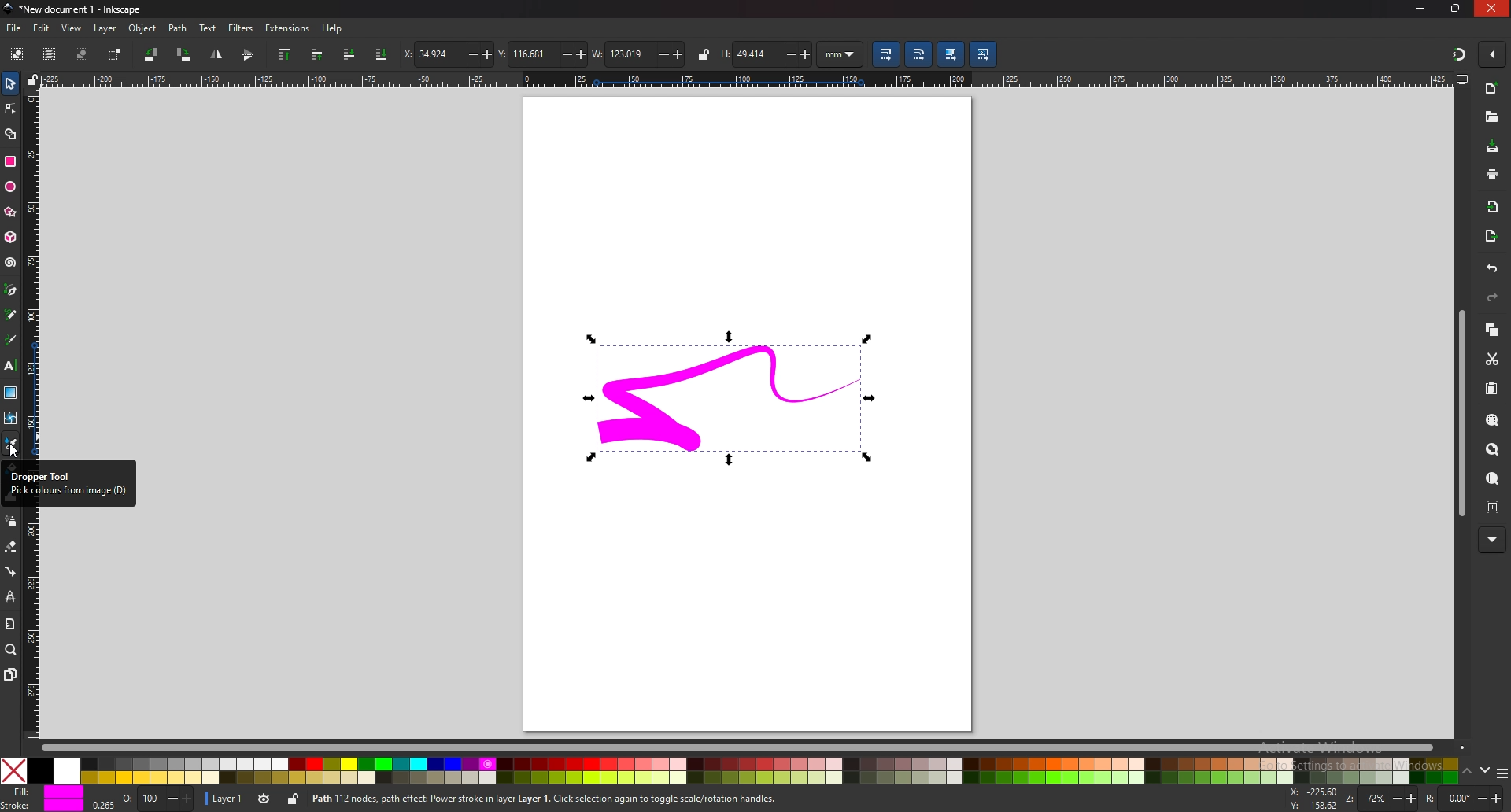 The image size is (1511, 812). Describe the element at coordinates (1493, 422) in the screenshot. I see `zoom selection` at that location.